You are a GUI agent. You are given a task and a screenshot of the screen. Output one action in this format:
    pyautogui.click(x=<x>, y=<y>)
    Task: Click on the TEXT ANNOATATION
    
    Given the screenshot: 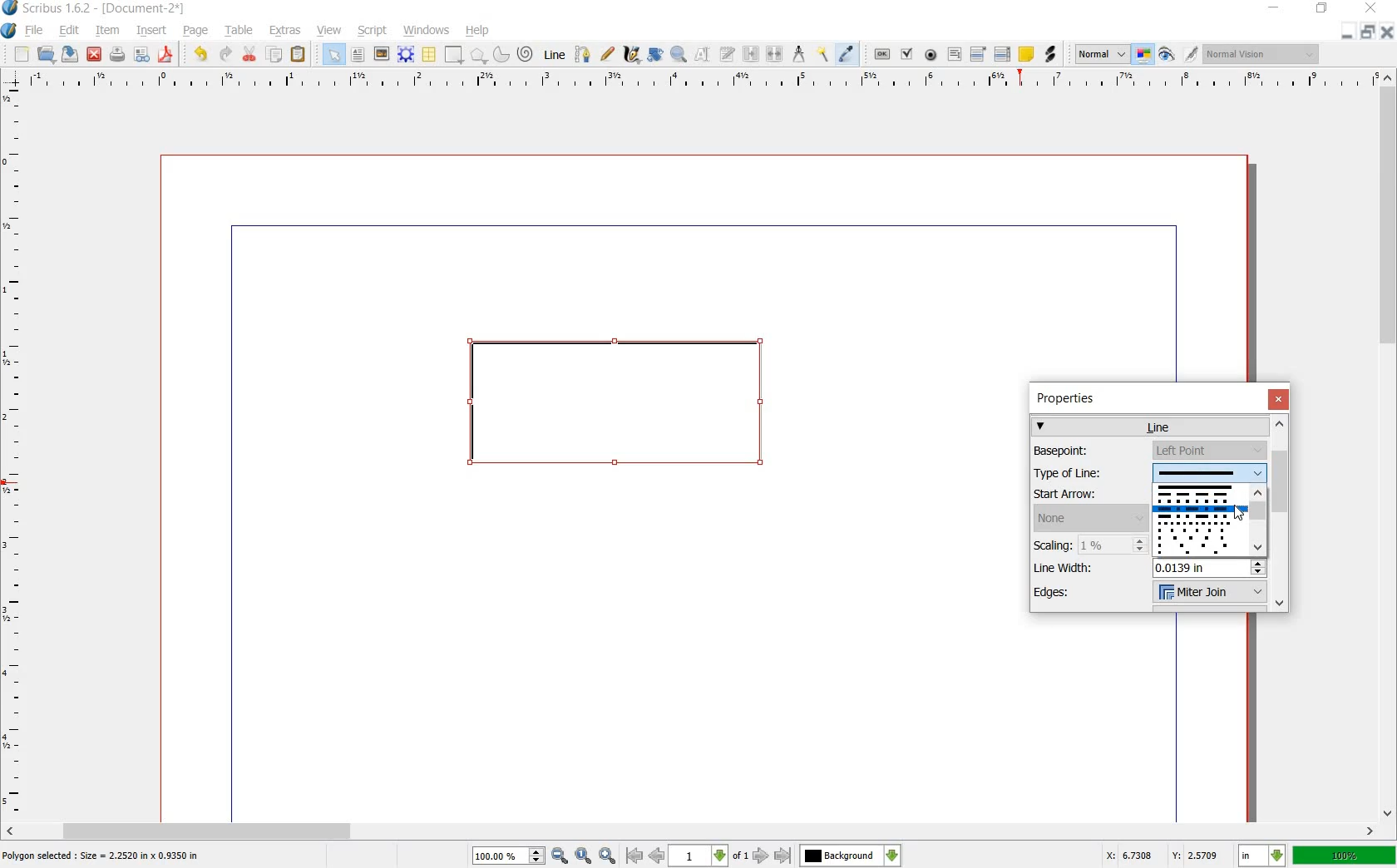 What is the action you would take?
    pyautogui.click(x=1025, y=55)
    